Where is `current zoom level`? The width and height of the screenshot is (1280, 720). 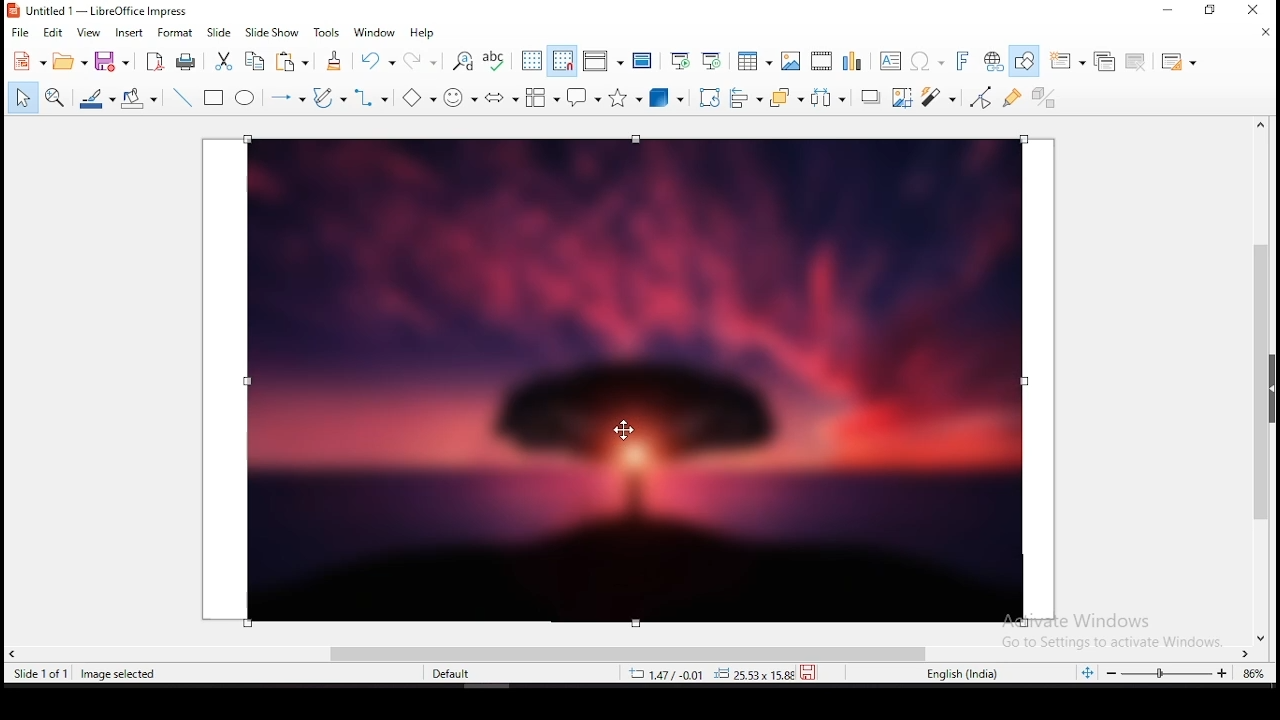
current zoom level is located at coordinates (1251, 676).